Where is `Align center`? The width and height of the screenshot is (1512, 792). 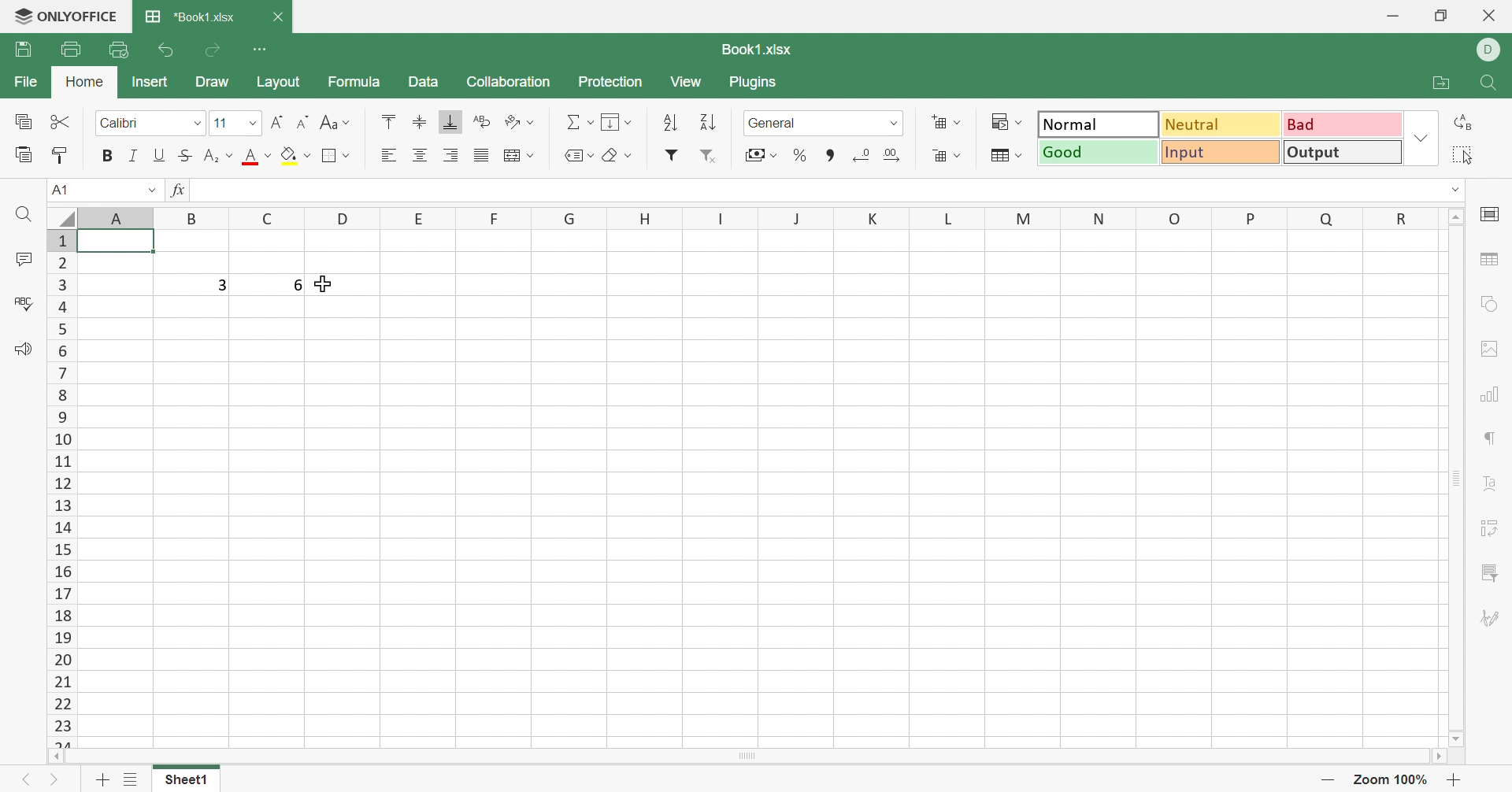
Align center is located at coordinates (423, 154).